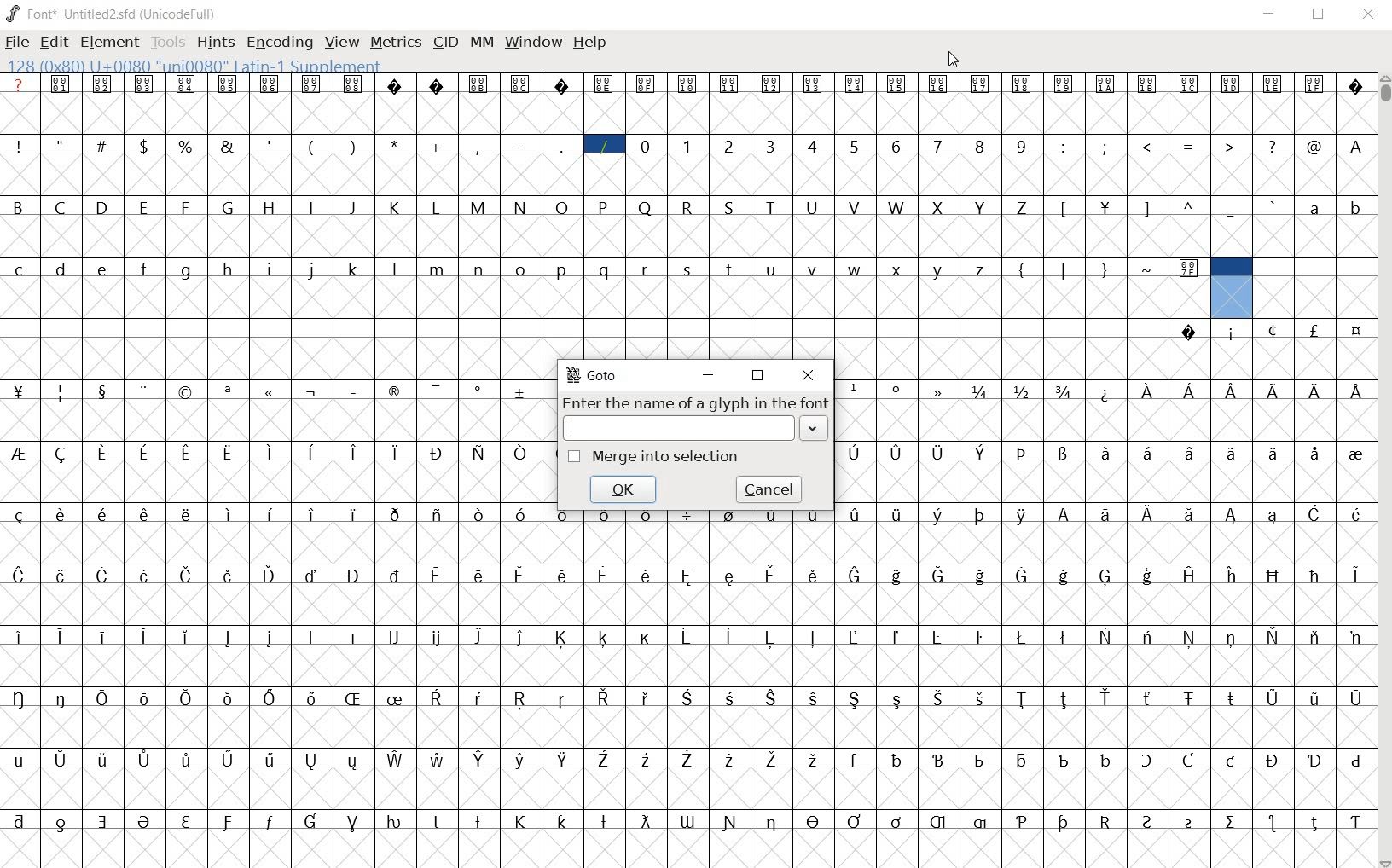 The width and height of the screenshot is (1392, 868). What do you see at coordinates (983, 514) in the screenshot?
I see `Symbol` at bounding box center [983, 514].